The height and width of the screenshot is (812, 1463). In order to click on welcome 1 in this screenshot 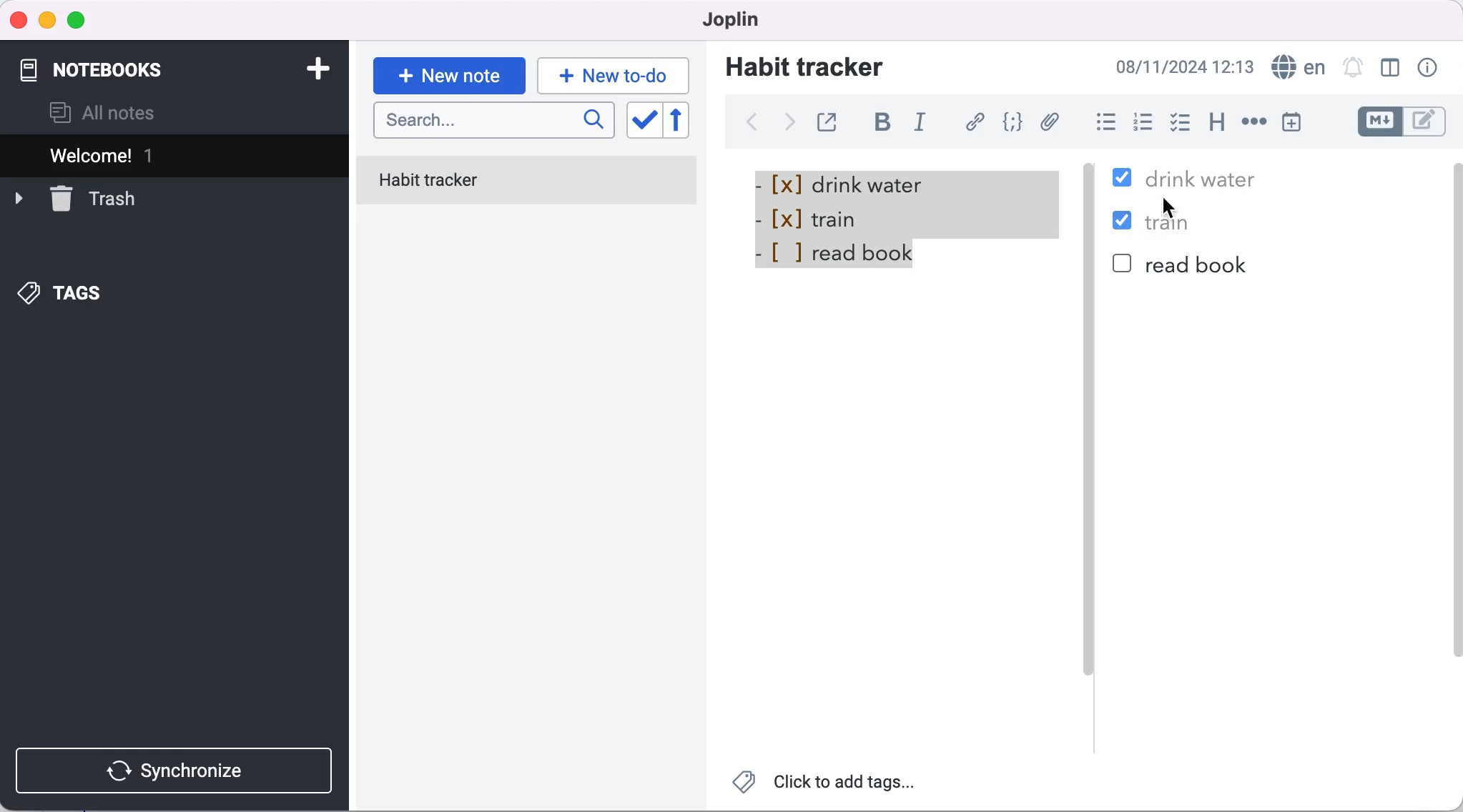, I will do `click(177, 155)`.